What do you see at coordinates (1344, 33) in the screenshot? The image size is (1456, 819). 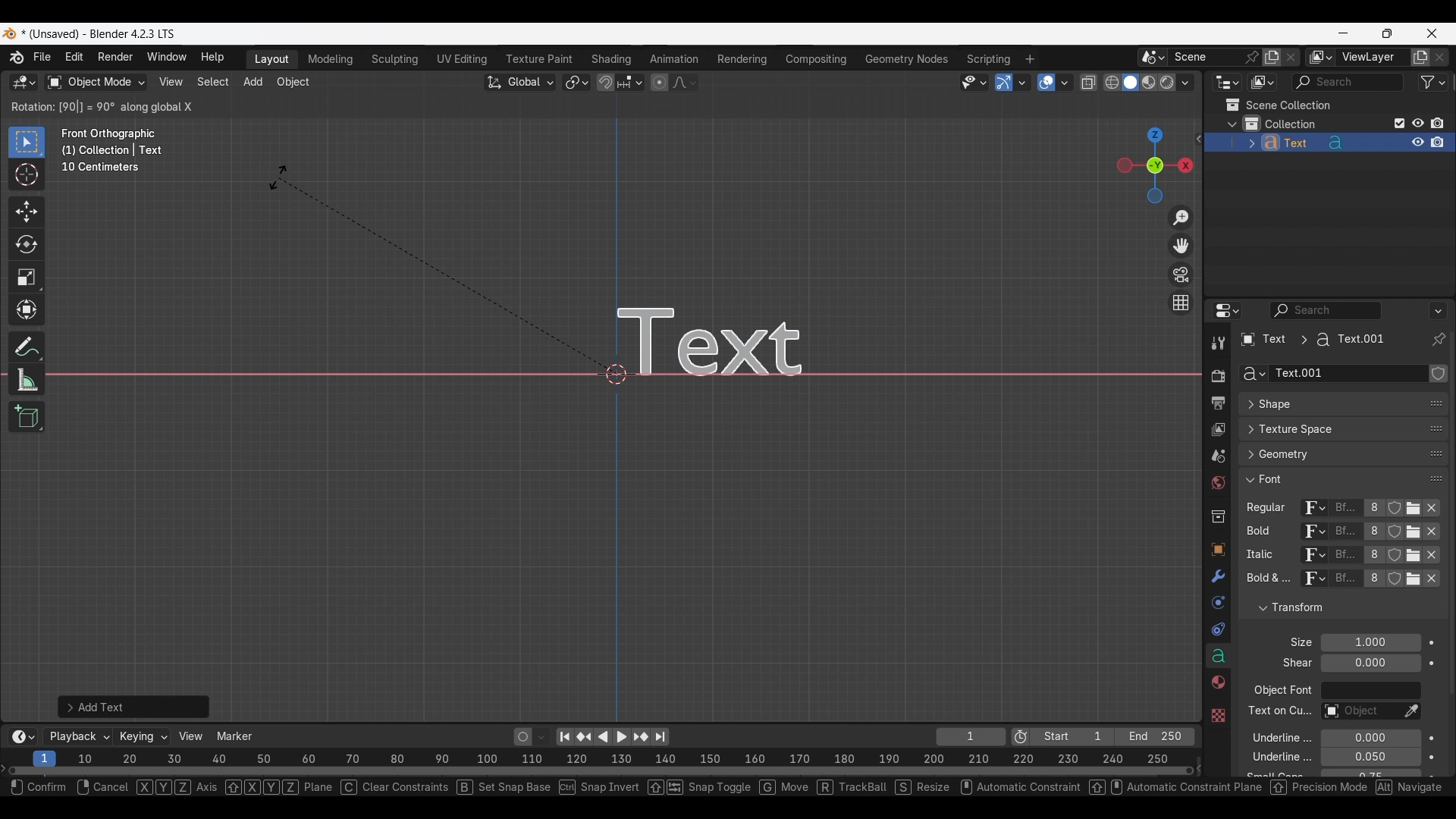 I see `Minimize` at bounding box center [1344, 33].